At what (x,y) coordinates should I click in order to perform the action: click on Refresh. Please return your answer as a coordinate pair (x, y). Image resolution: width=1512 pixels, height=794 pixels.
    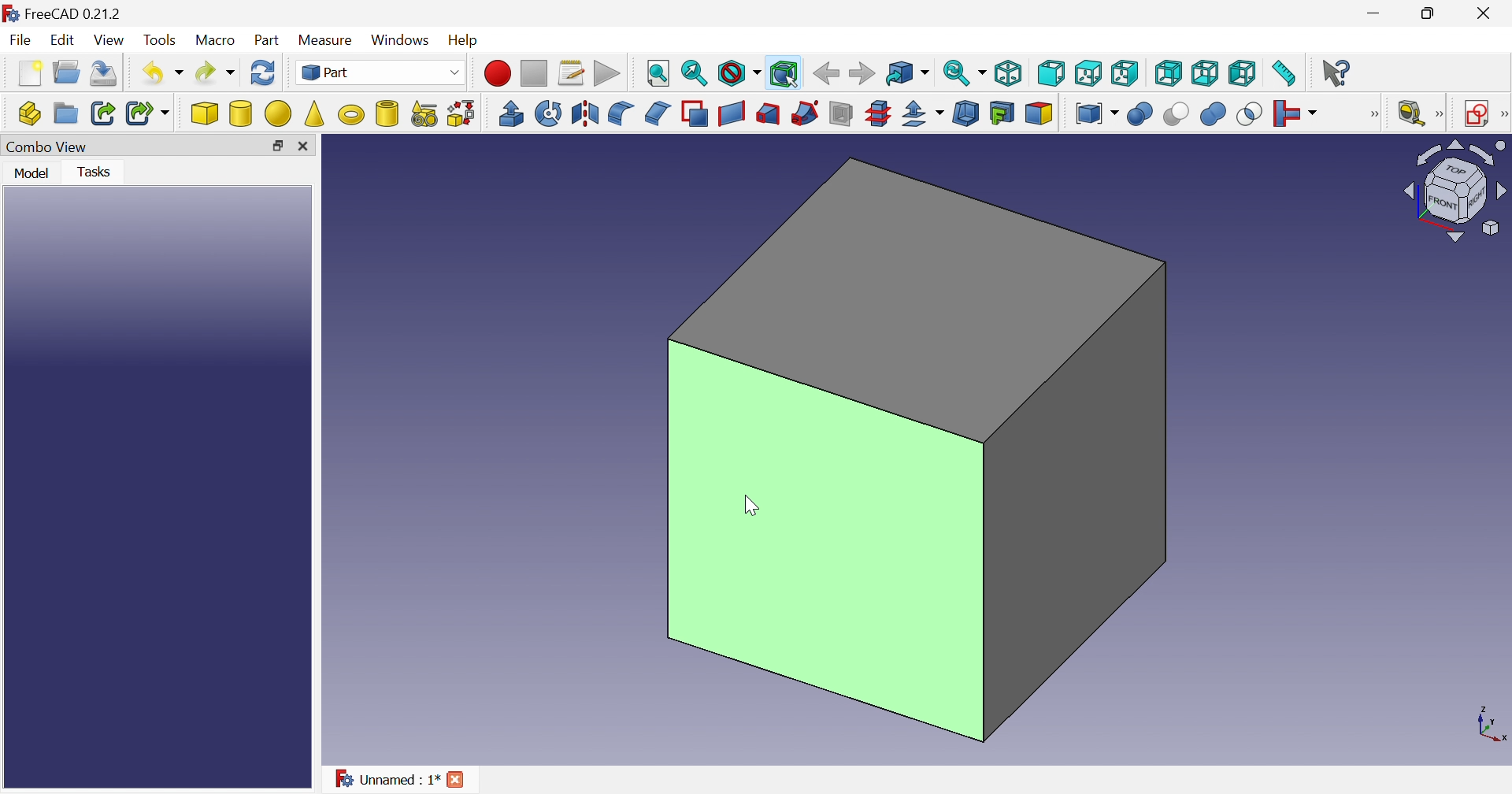
    Looking at the image, I should click on (263, 76).